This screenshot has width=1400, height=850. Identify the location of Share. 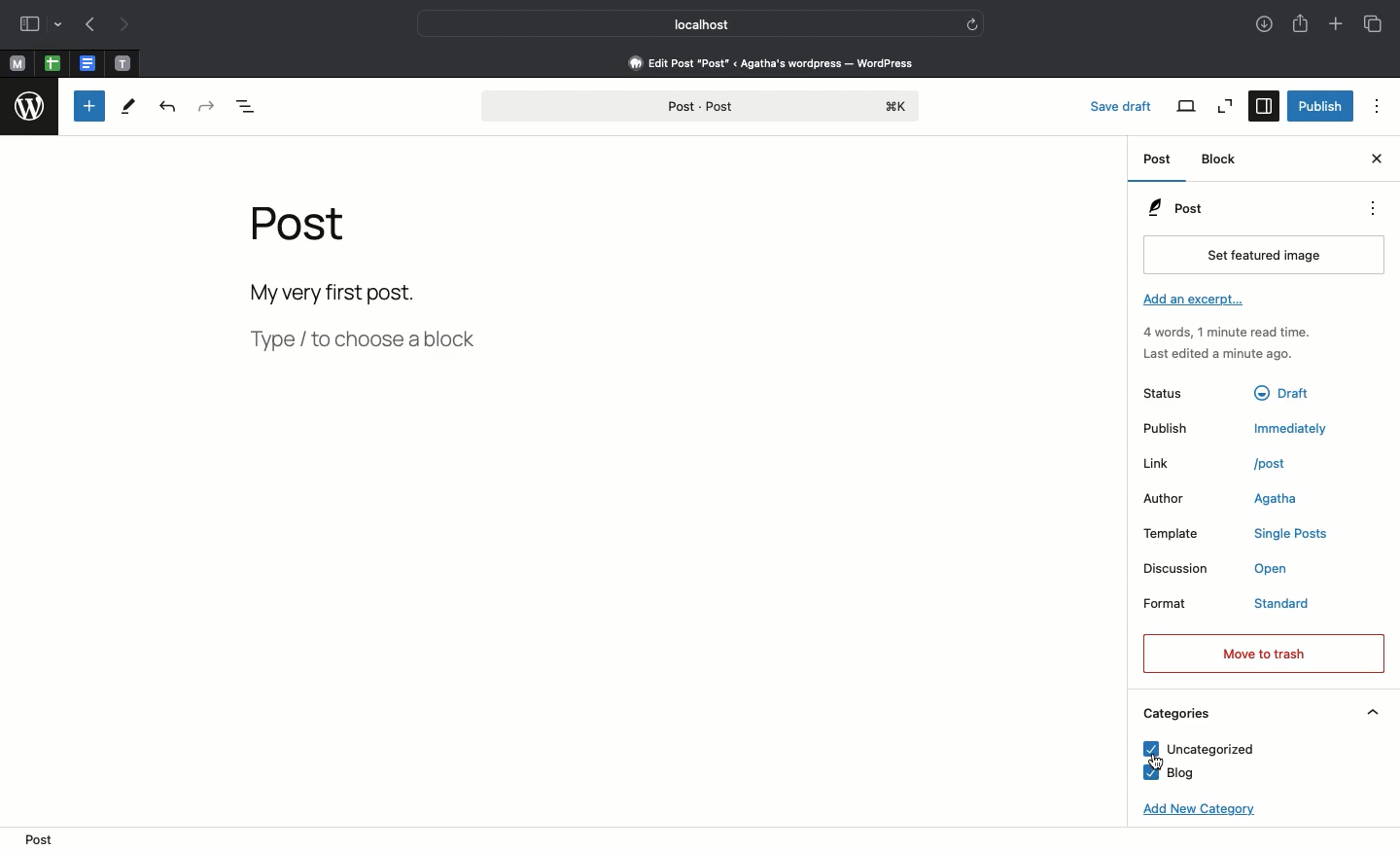
(1300, 25).